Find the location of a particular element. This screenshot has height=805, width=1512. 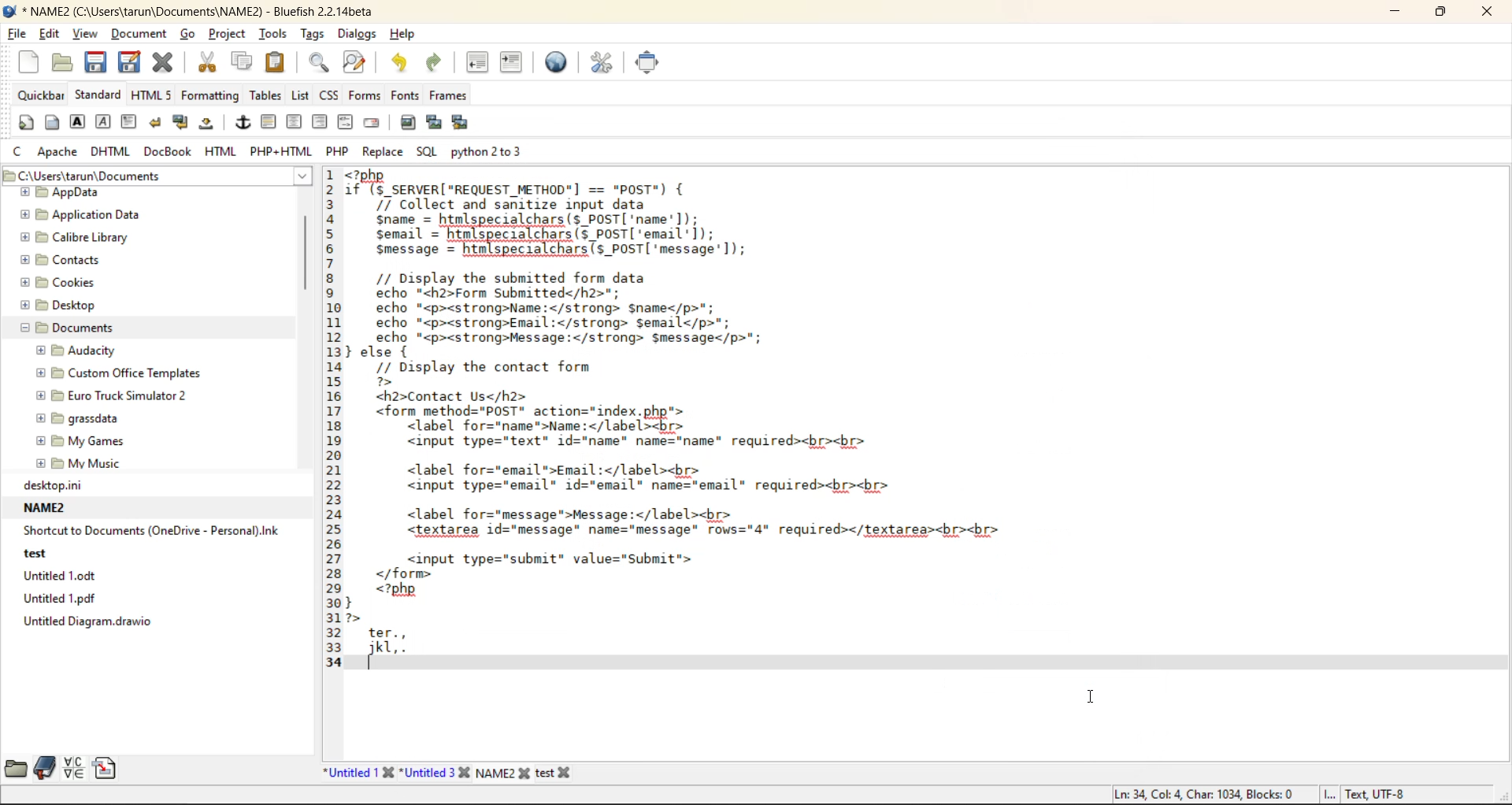

go is located at coordinates (187, 35).